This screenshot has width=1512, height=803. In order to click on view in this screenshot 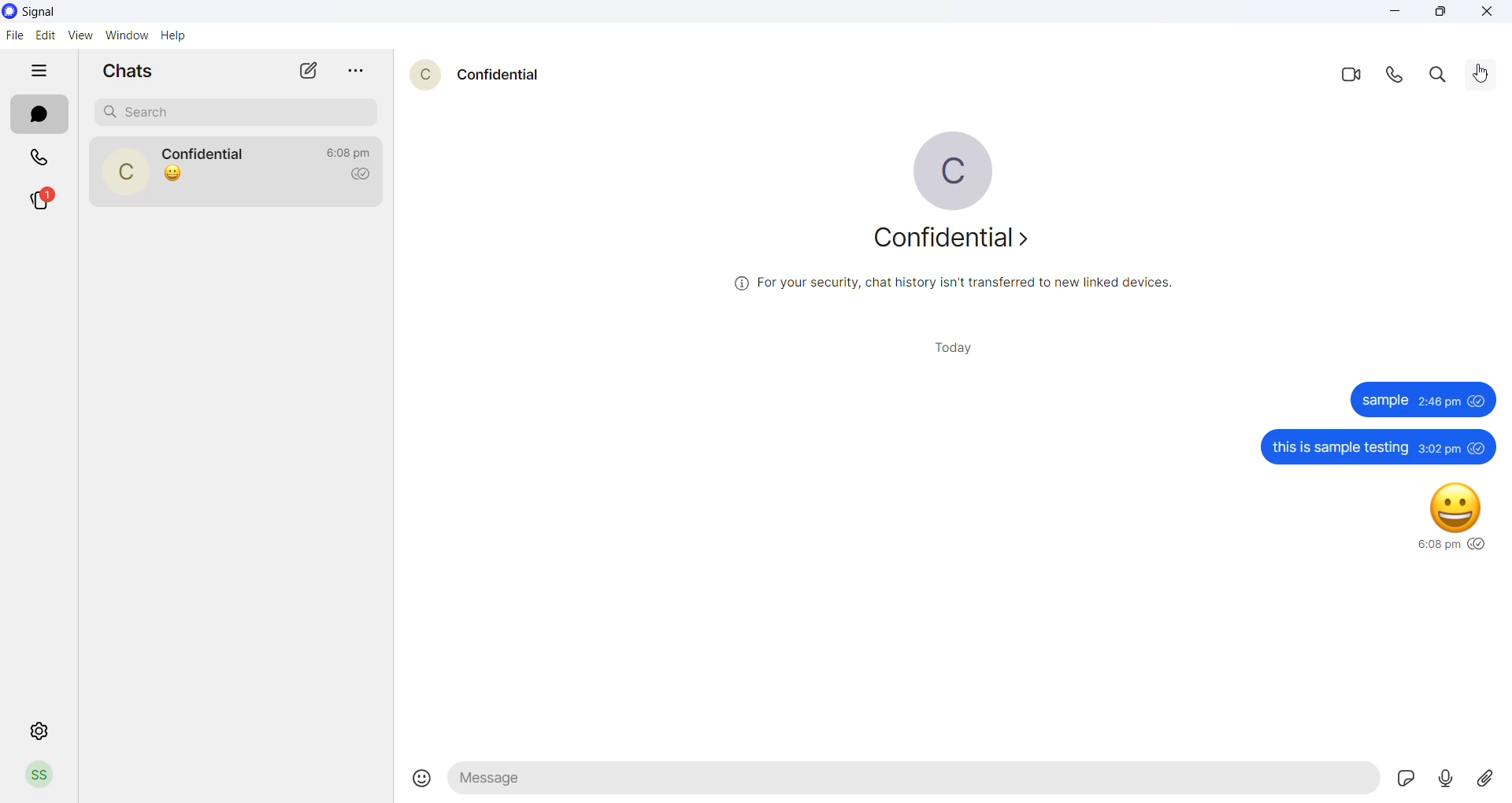, I will do `click(78, 35)`.